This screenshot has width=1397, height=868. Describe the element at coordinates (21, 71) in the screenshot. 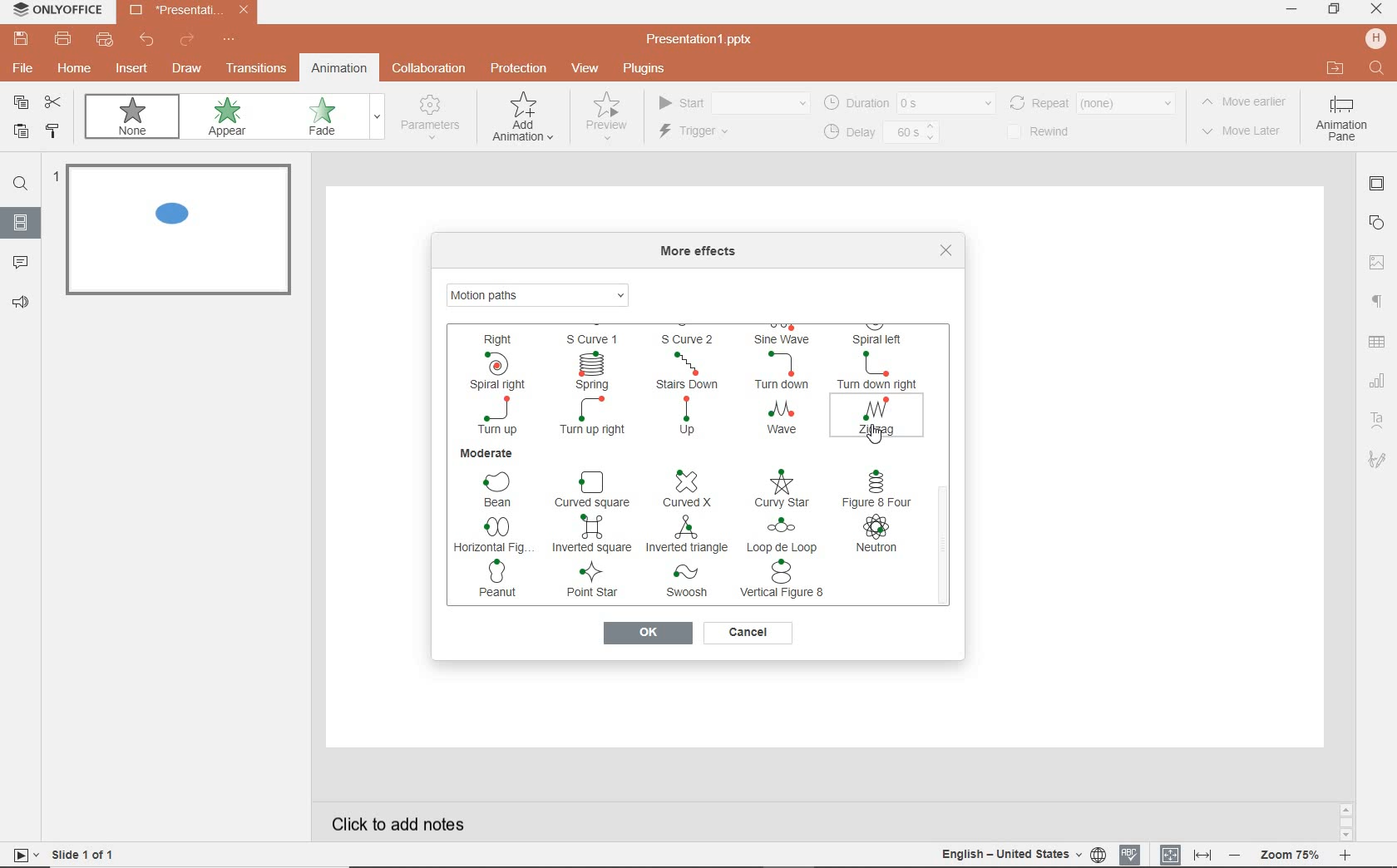

I see `file` at that location.